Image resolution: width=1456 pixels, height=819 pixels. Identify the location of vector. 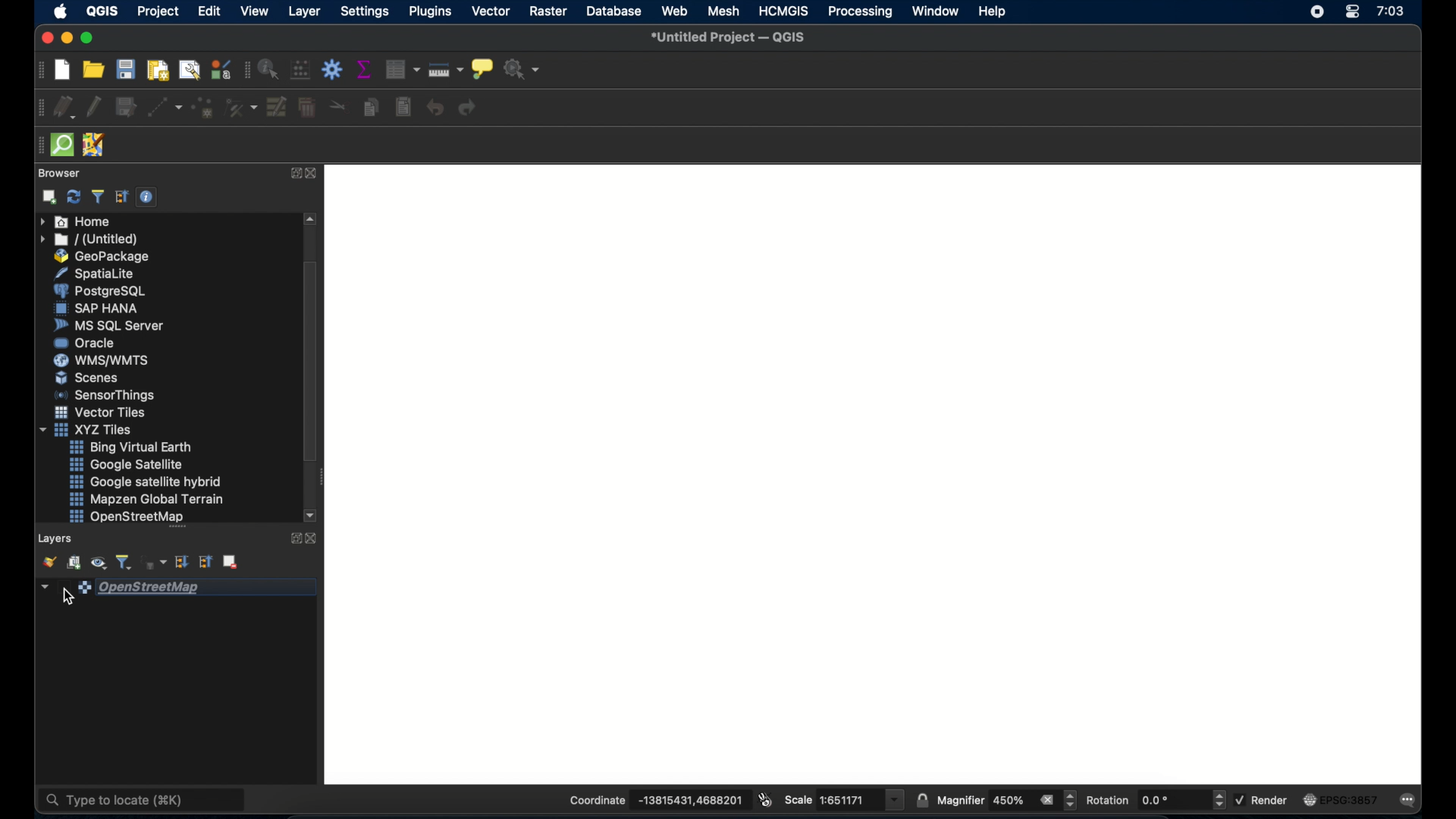
(492, 13).